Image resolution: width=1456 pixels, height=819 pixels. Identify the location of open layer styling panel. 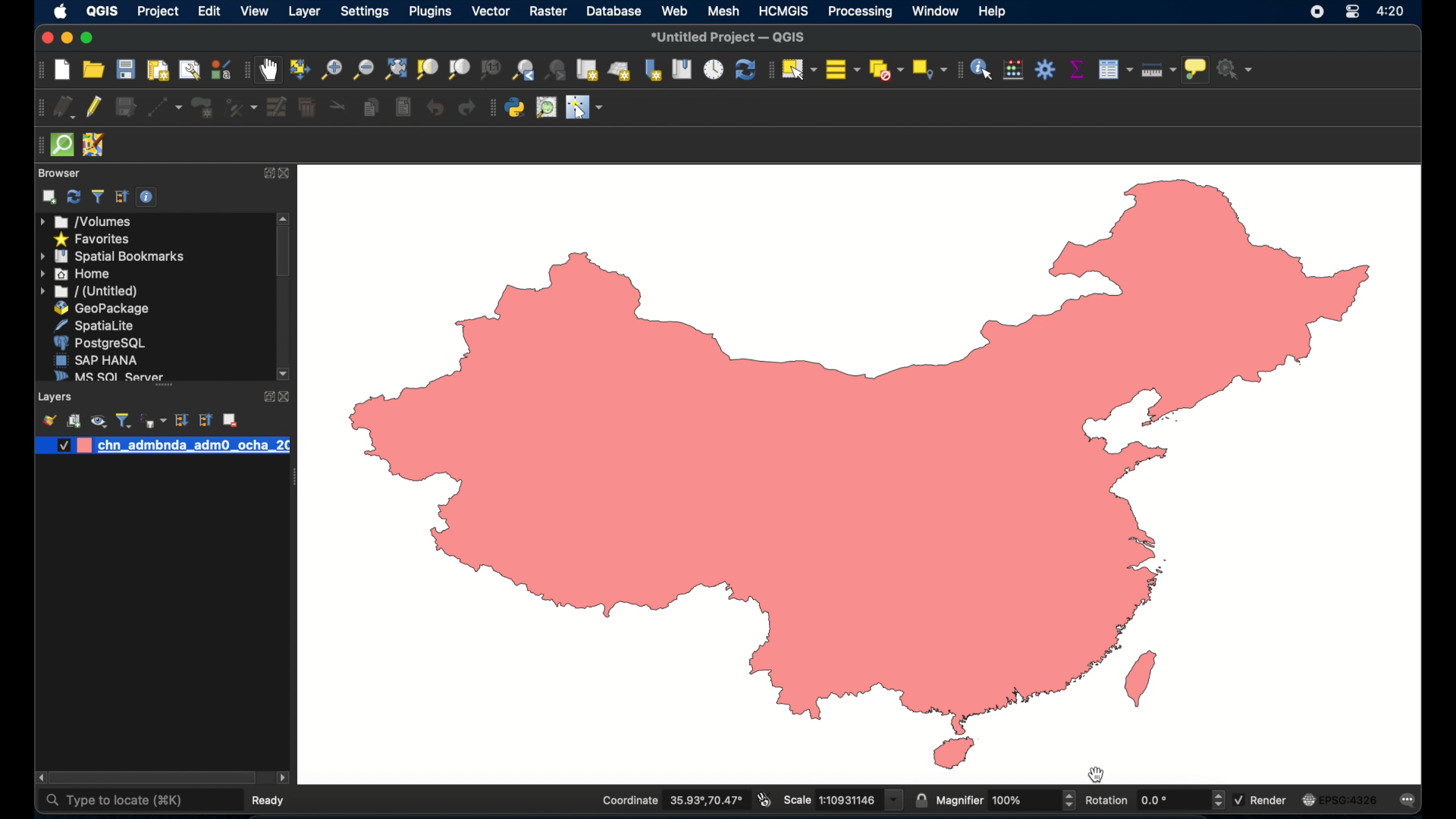
(49, 420).